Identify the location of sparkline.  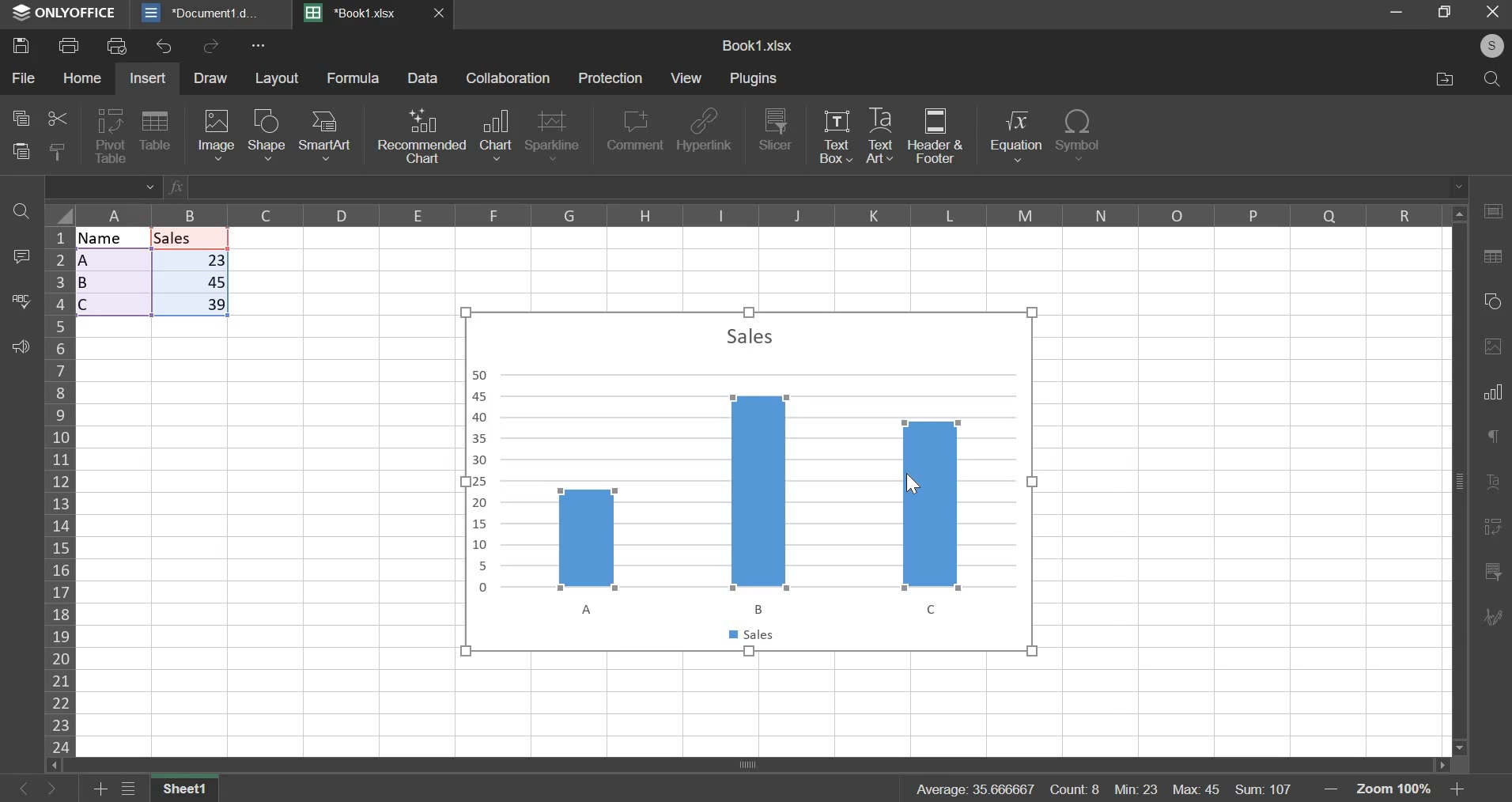
(553, 136).